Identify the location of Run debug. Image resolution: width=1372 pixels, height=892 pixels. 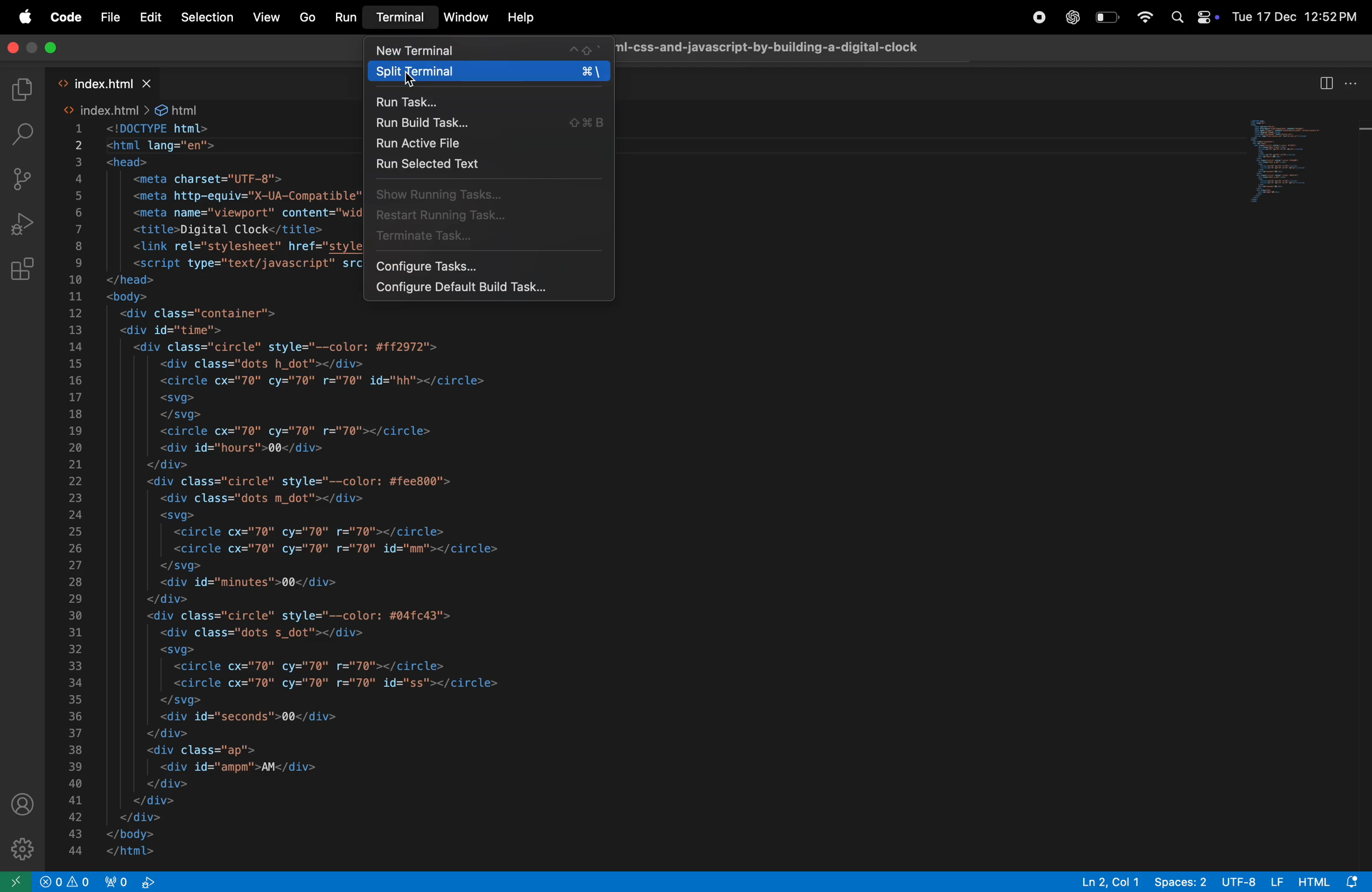
(25, 222).